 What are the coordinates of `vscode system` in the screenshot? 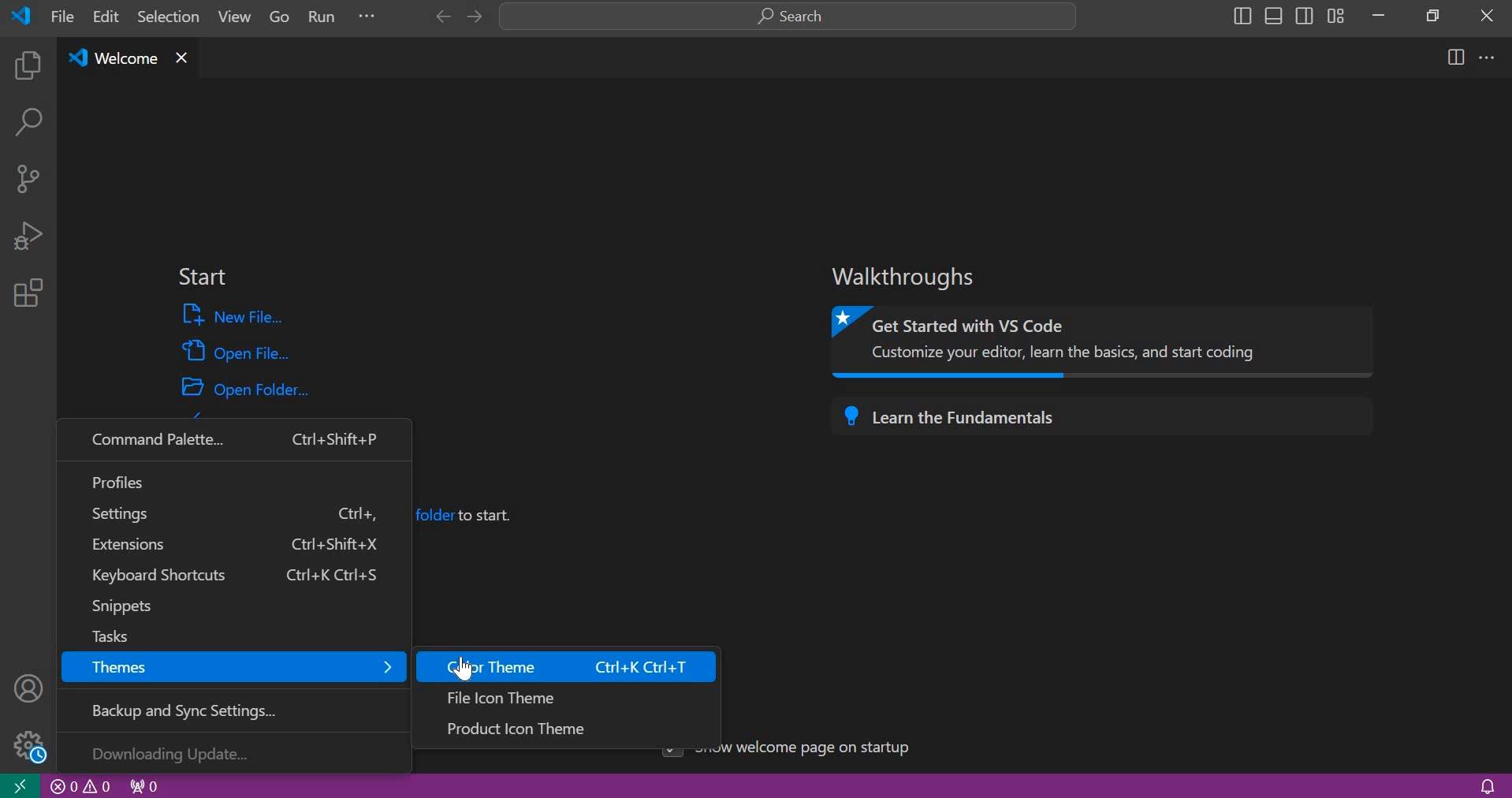 It's located at (25, 16).